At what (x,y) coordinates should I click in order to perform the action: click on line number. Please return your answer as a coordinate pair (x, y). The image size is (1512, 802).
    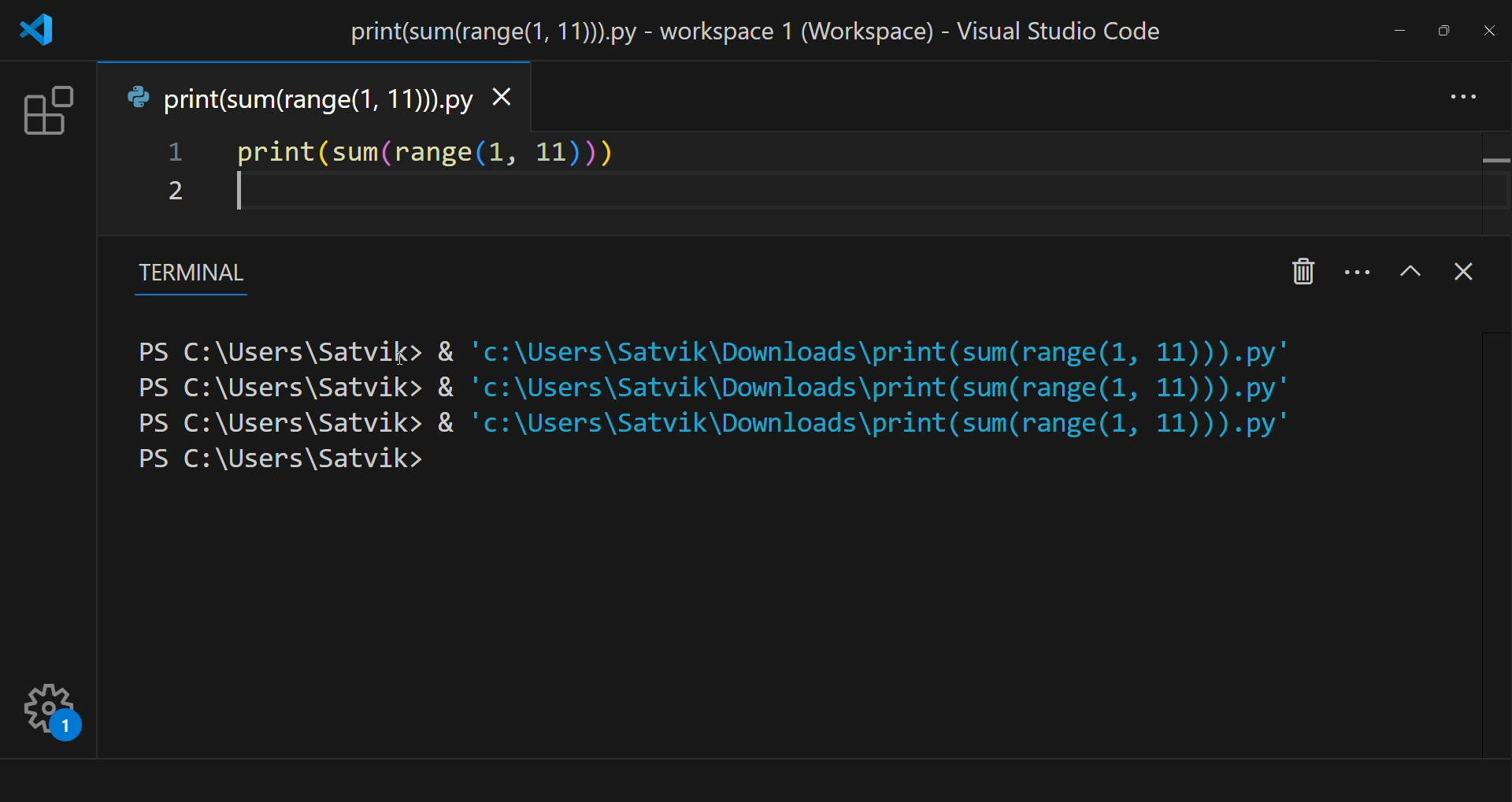
    Looking at the image, I should click on (172, 179).